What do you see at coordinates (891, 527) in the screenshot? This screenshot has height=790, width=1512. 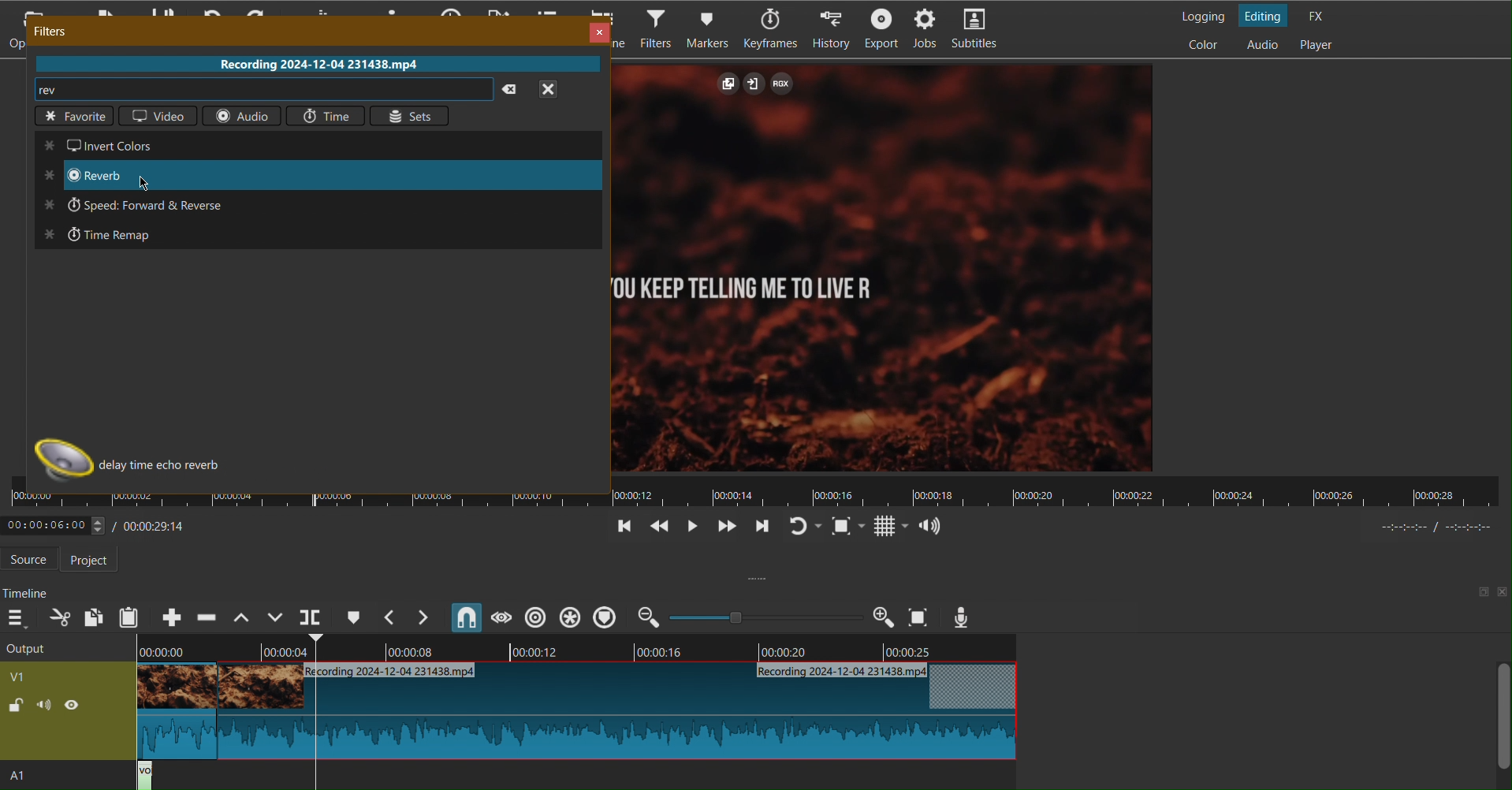 I see `Grid` at bounding box center [891, 527].